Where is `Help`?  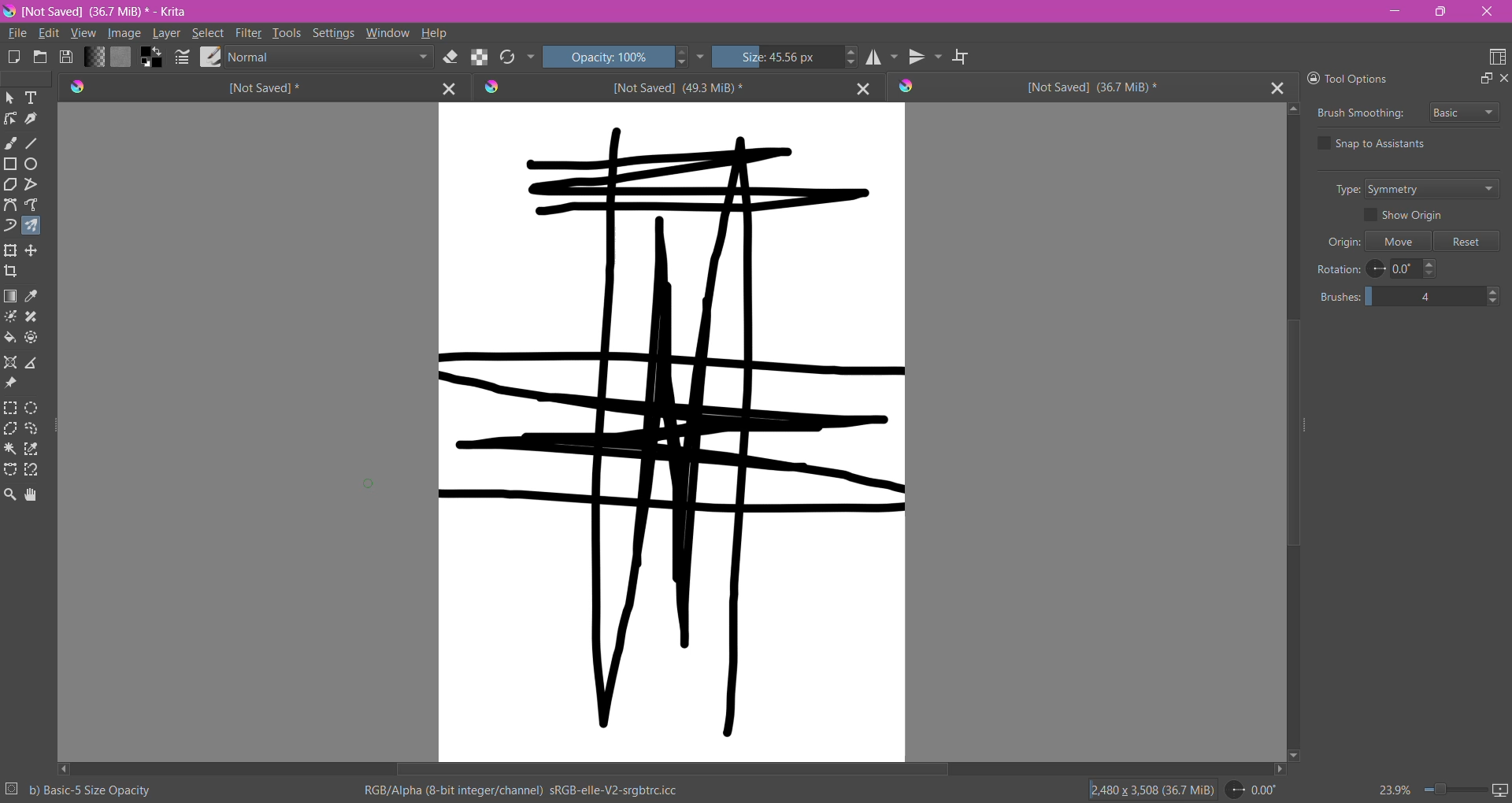
Help is located at coordinates (435, 33).